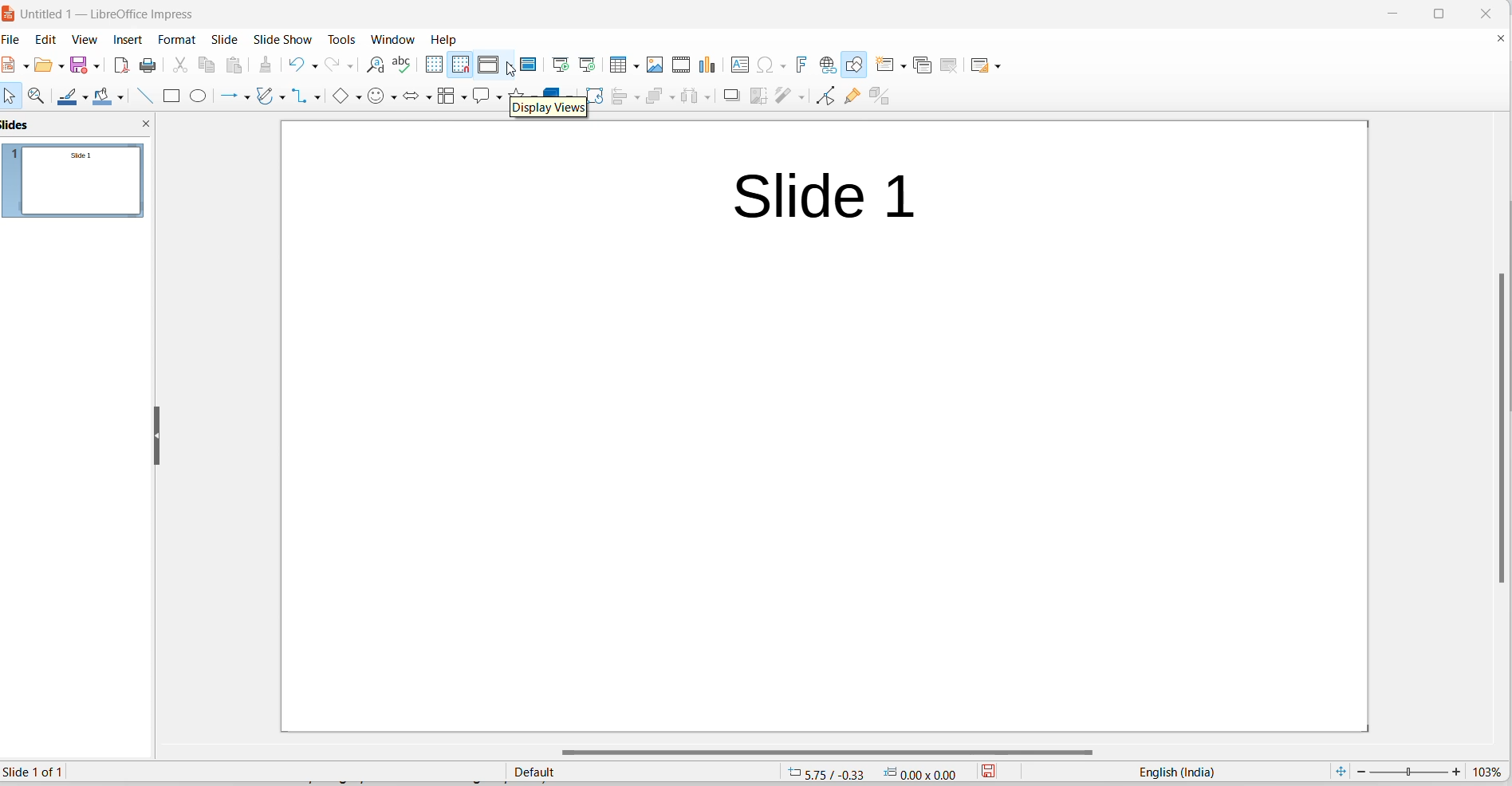 The height and width of the screenshot is (786, 1512). I want to click on callout shapes, so click(481, 98).